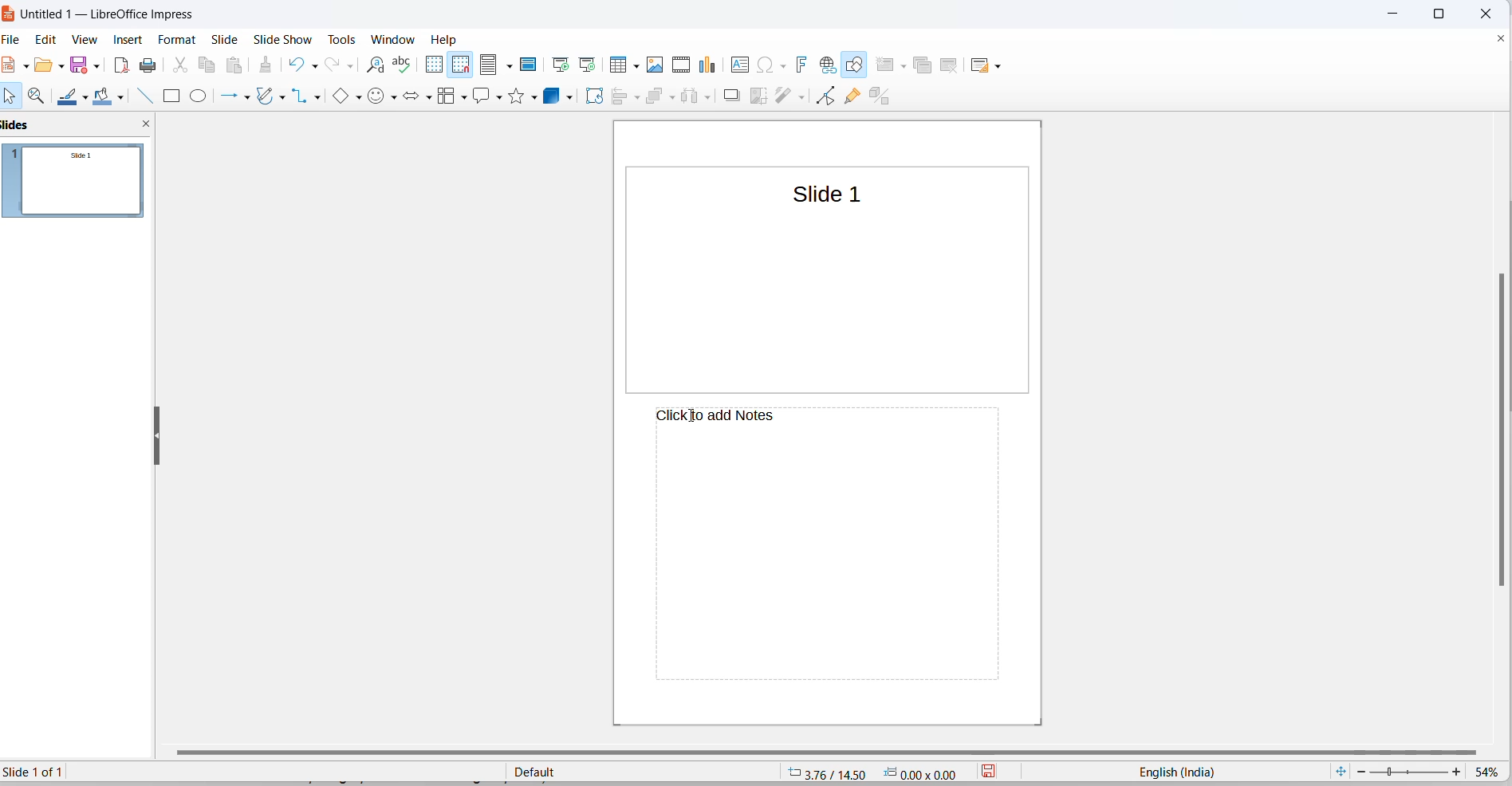 This screenshot has height=786, width=1512. What do you see at coordinates (179, 39) in the screenshot?
I see `format` at bounding box center [179, 39].